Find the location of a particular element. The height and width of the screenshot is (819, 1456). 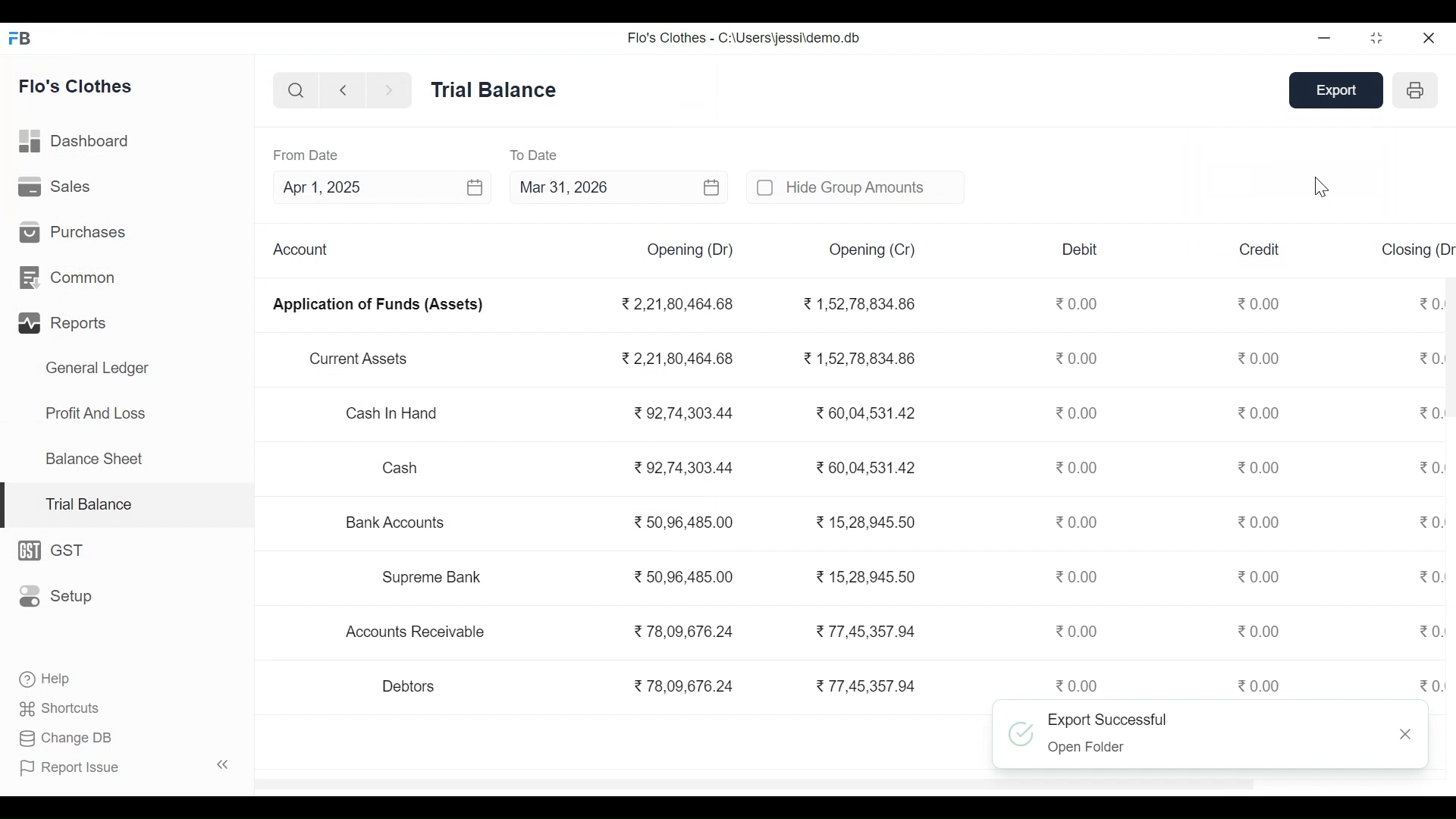

0.00 is located at coordinates (1078, 575).